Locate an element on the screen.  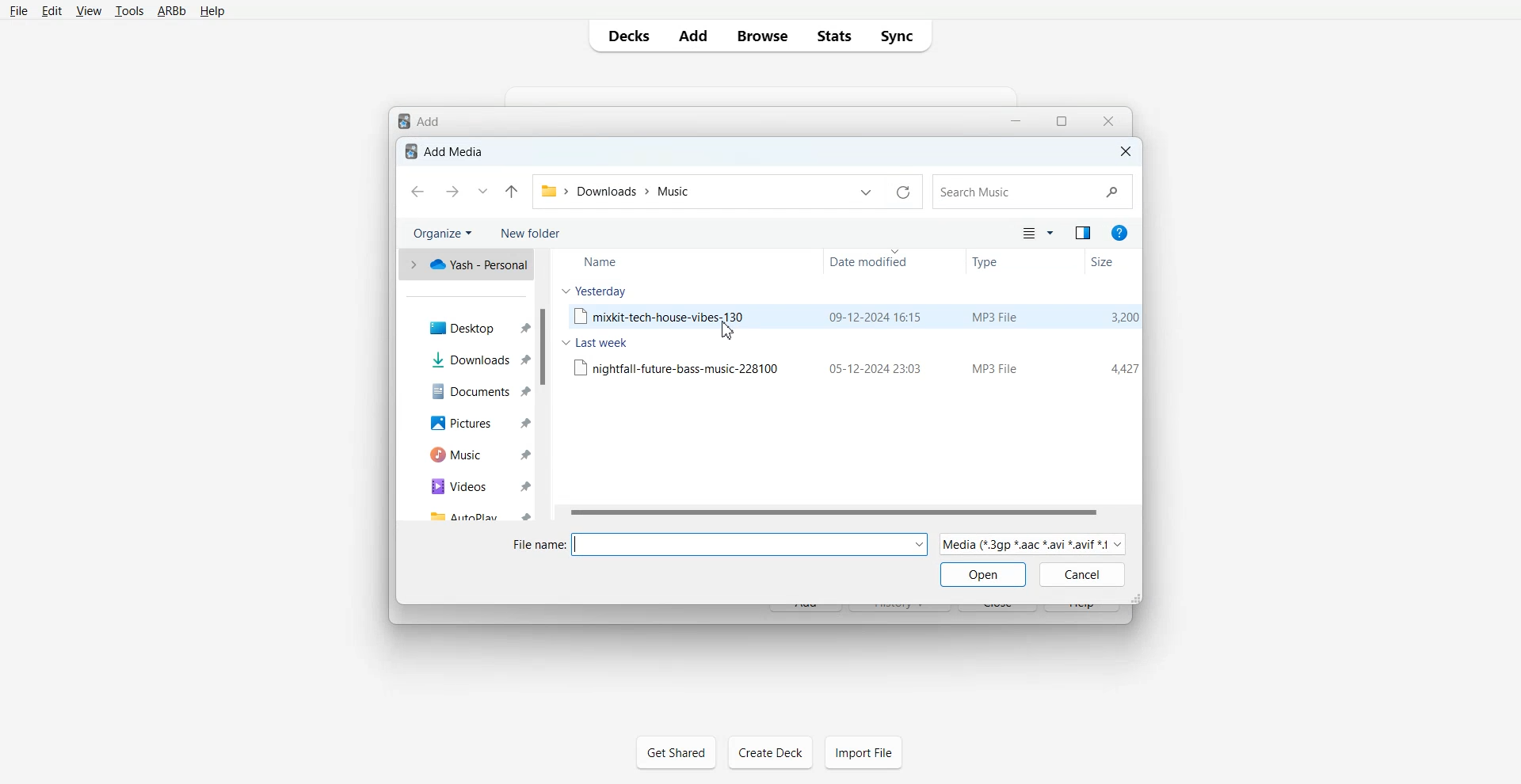
Edit is located at coordinates (51, 11).